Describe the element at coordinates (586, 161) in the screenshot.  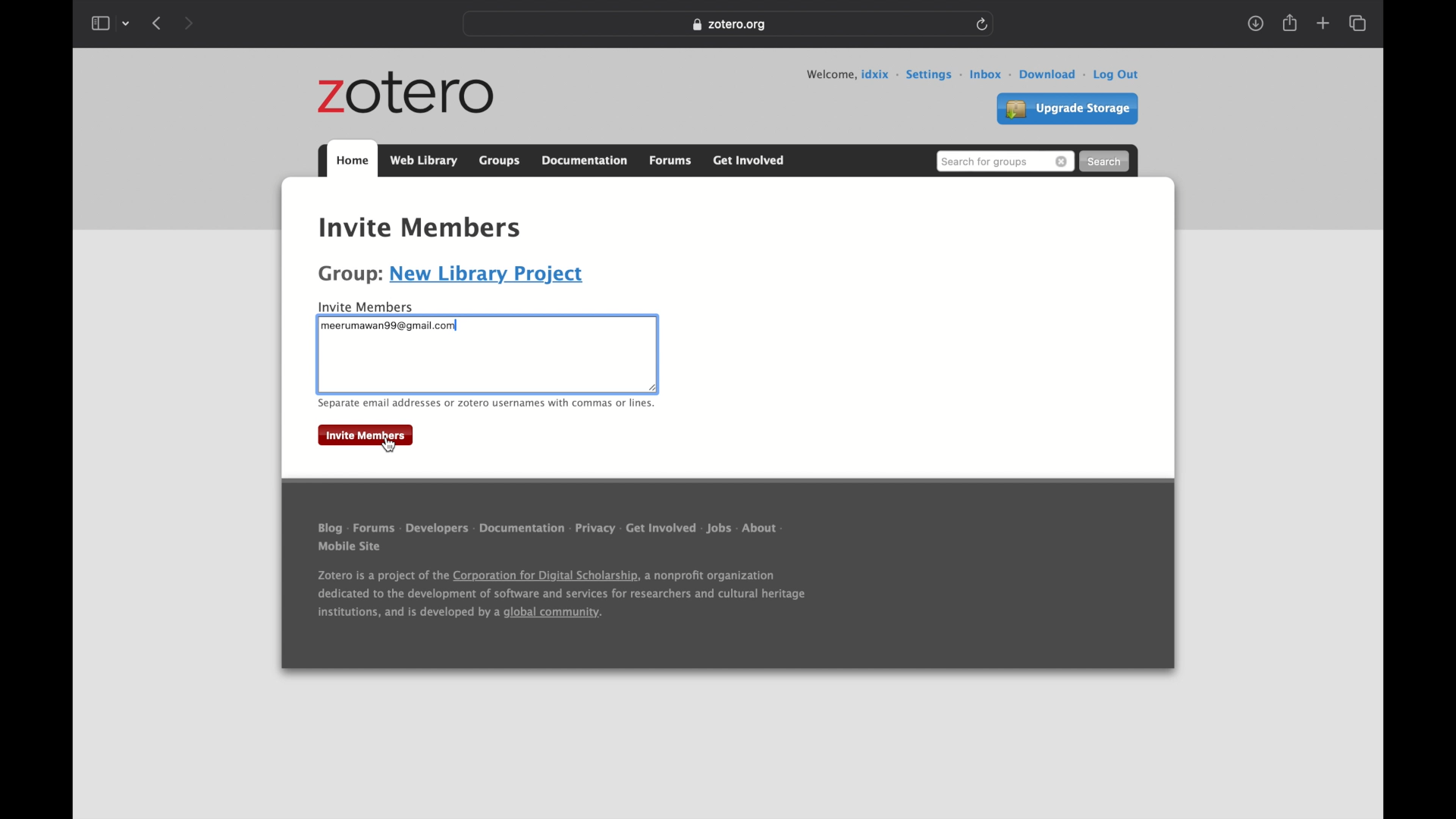
I see `documentation` at that location.